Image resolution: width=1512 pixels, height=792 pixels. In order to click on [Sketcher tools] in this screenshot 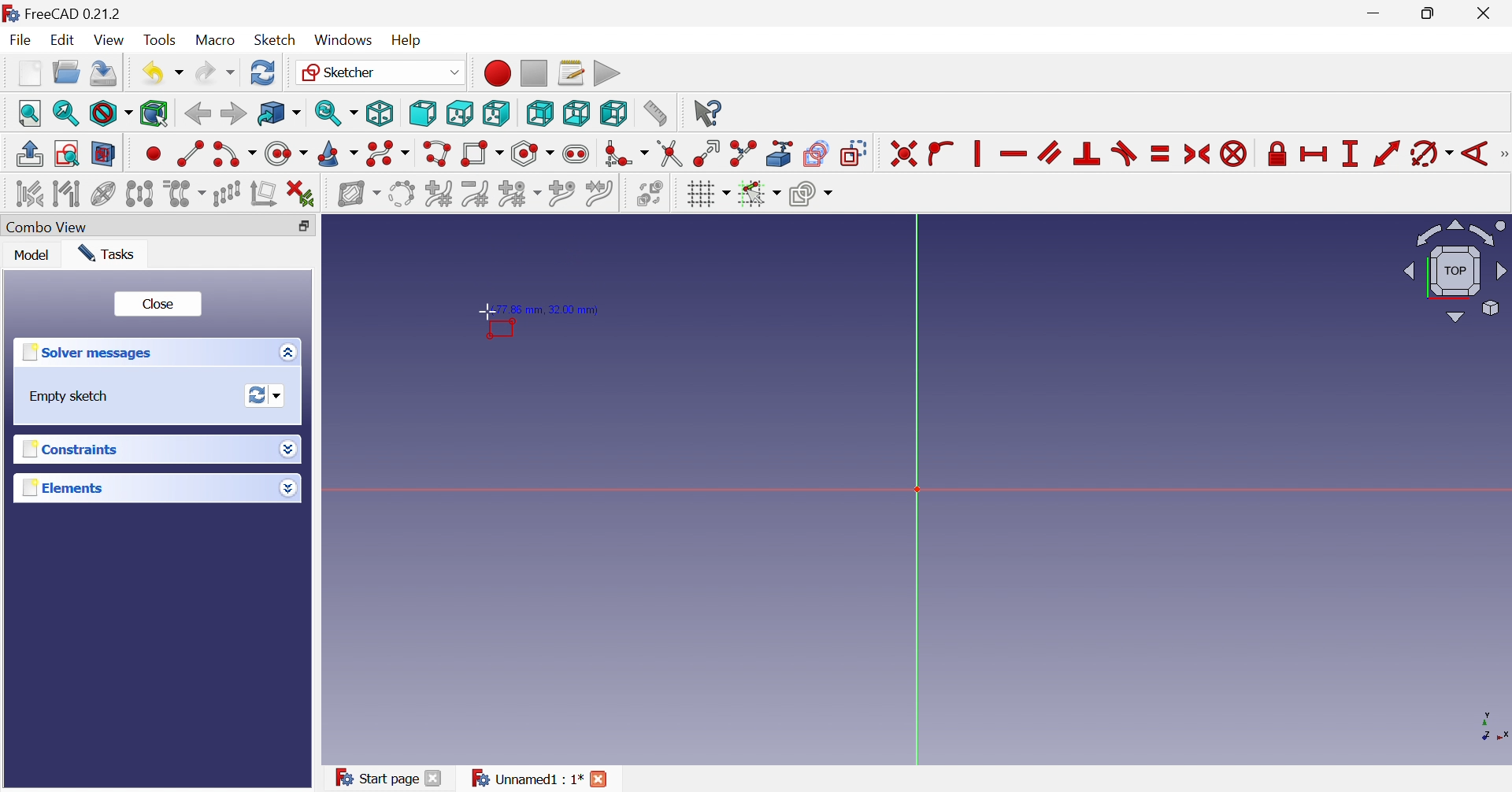, I will do `click(1503, 156)`.